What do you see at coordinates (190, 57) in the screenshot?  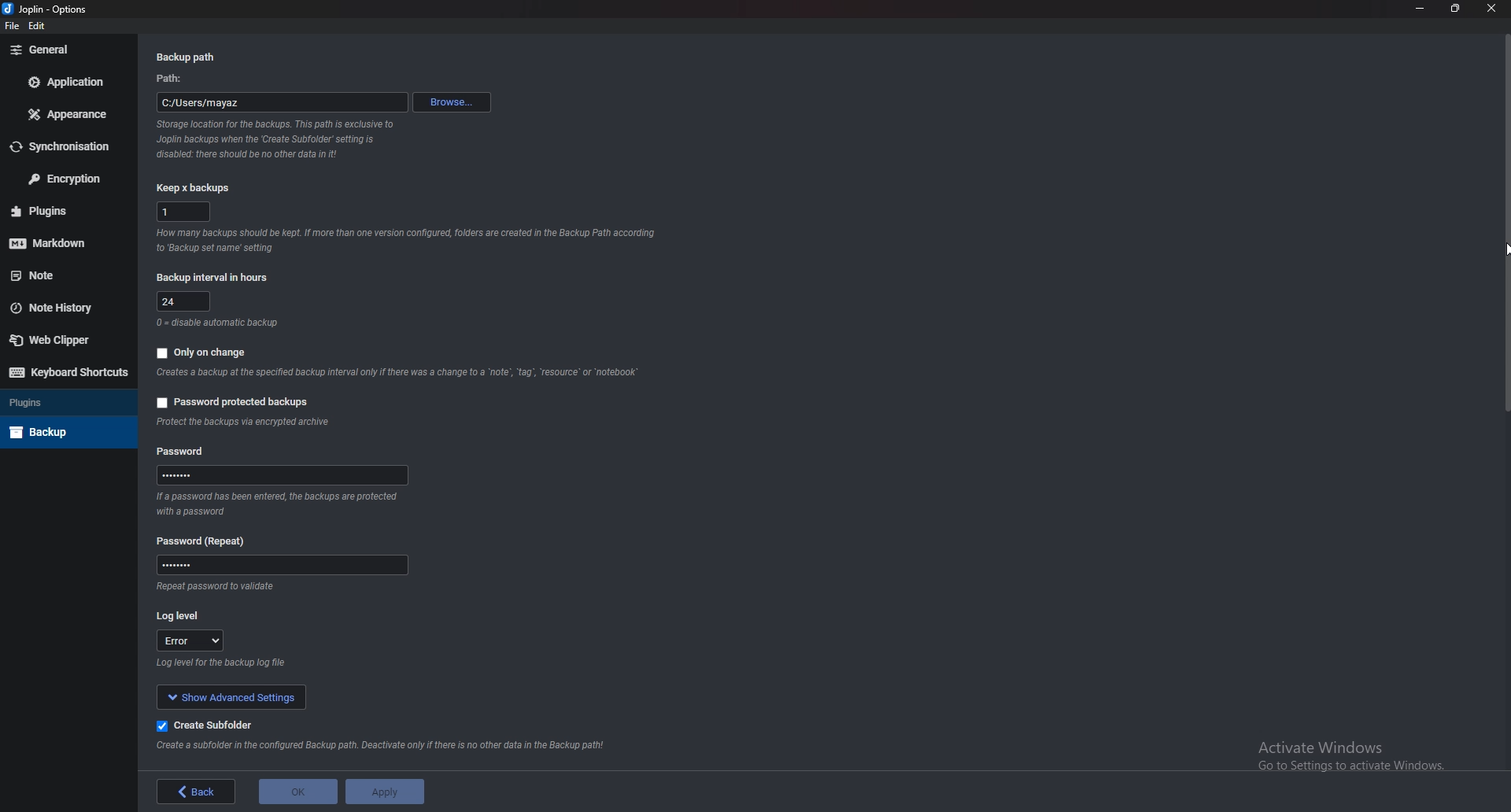 I see `back up path` at bounding box center [190, 57].